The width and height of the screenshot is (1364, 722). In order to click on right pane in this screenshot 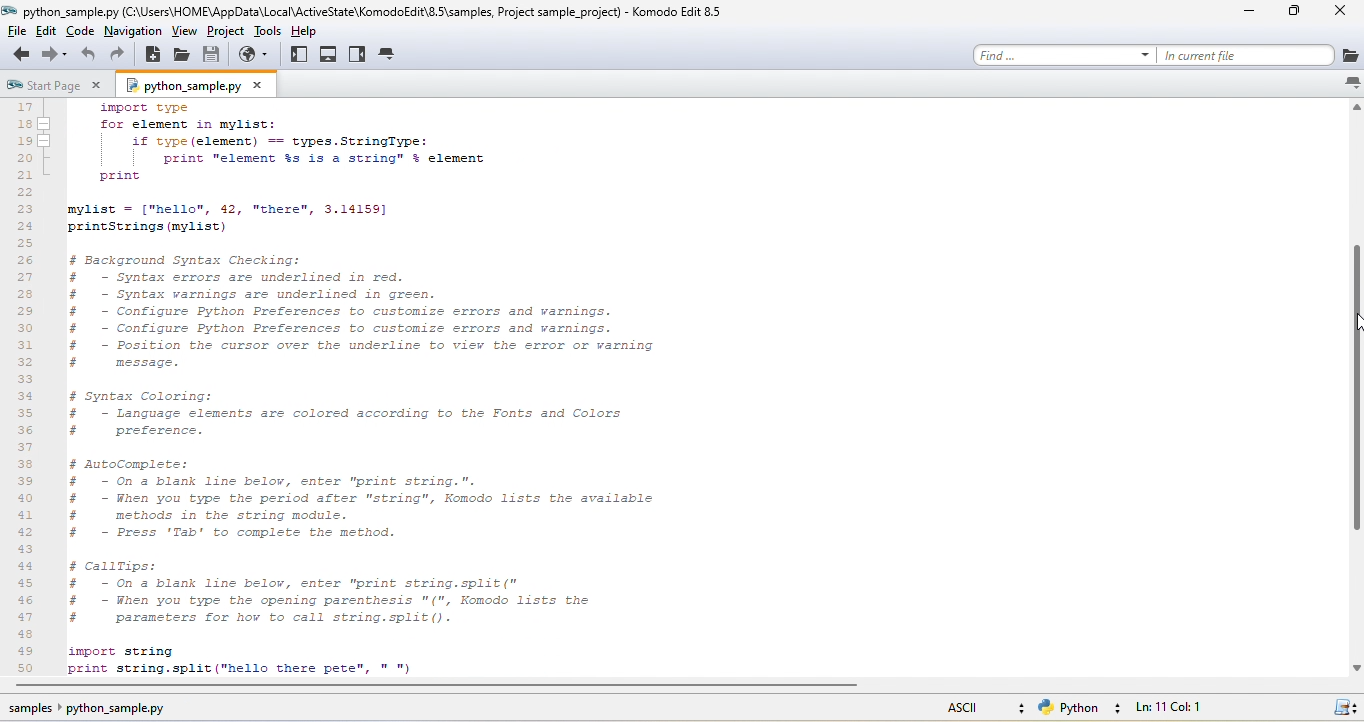, I will do `click(358, 55)`.